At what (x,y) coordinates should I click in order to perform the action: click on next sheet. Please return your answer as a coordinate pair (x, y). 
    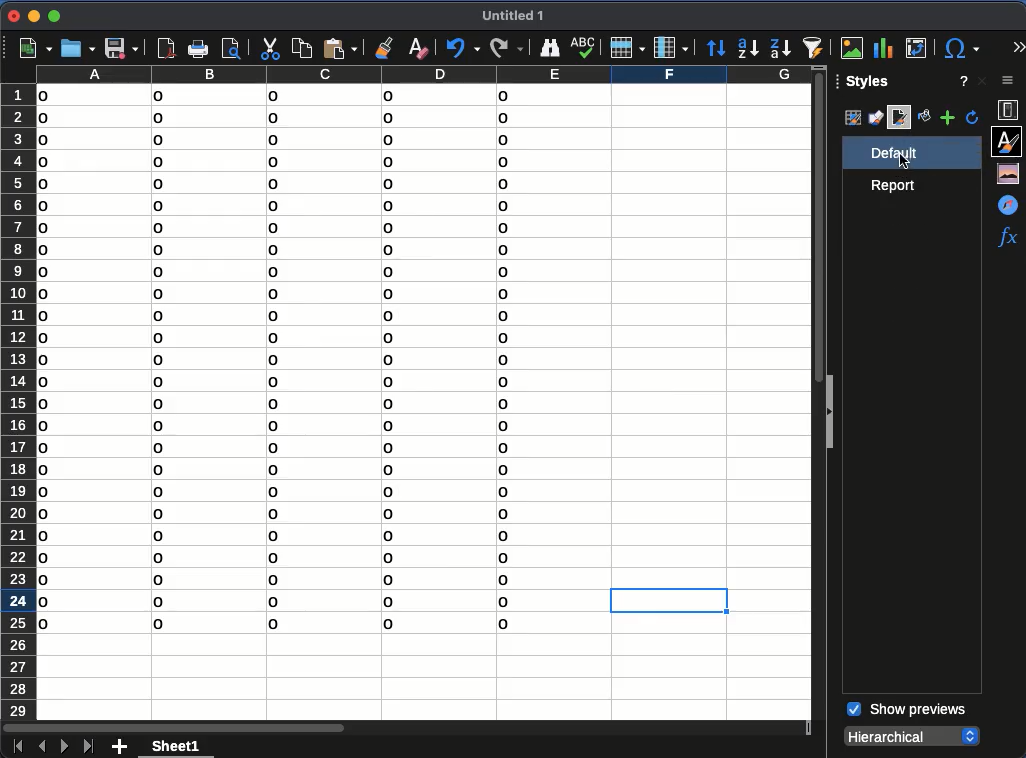
    Looking at the image, I should click on (62, 747).